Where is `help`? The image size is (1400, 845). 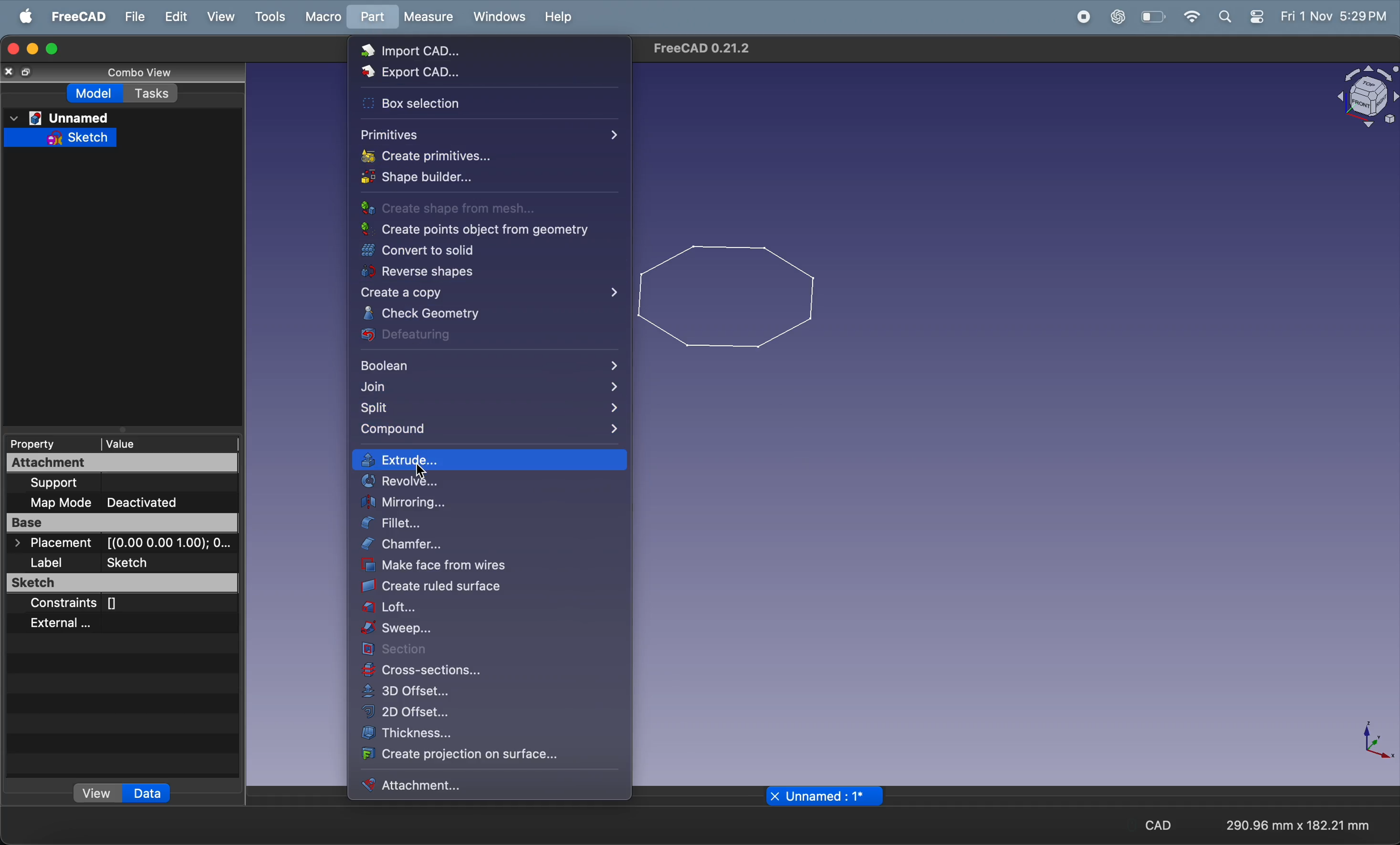 help is located at coordinates (559, 16).